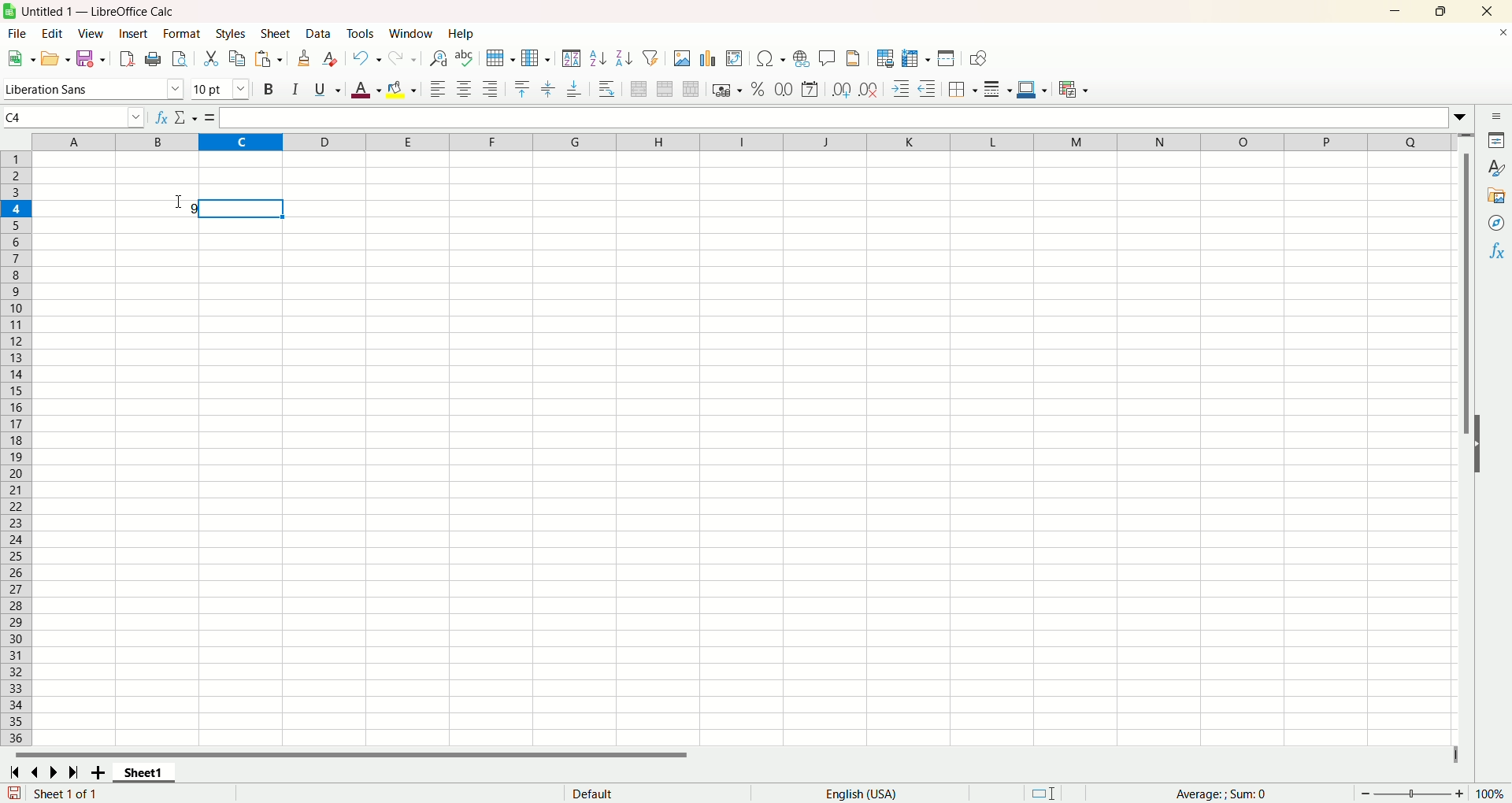  Describe the element at coordinates (412, 34) in the screenshot. I see `window` at that location.